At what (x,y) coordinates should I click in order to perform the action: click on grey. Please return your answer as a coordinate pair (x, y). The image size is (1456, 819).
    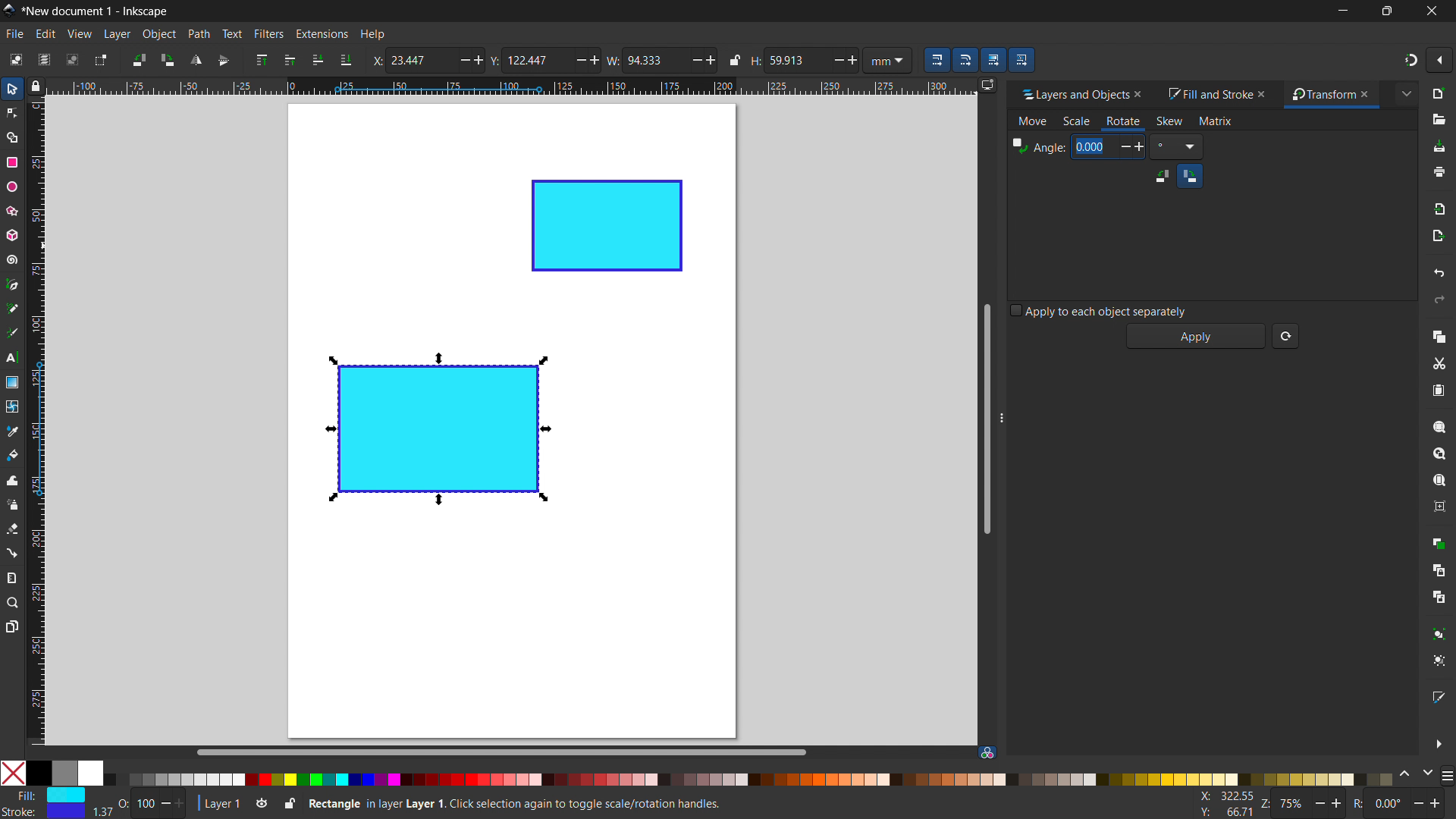
    Looking at the image, I should click on (64, 773).